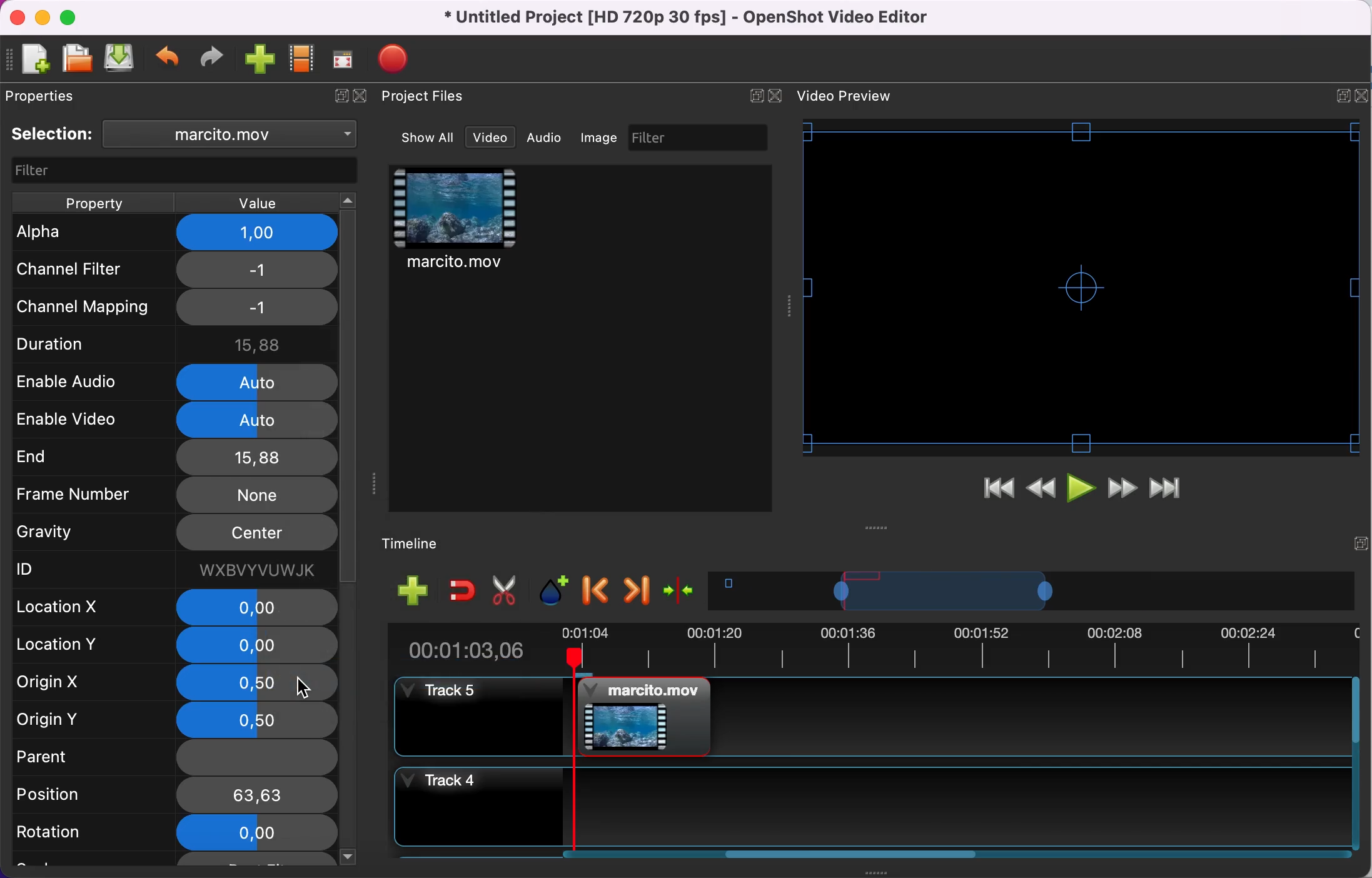 This screenshot has height=878, width=1372. What do you see at coordinates (1081, 287) in the screenshot?
I see `Video preview` at bounding box center [1081, 287].